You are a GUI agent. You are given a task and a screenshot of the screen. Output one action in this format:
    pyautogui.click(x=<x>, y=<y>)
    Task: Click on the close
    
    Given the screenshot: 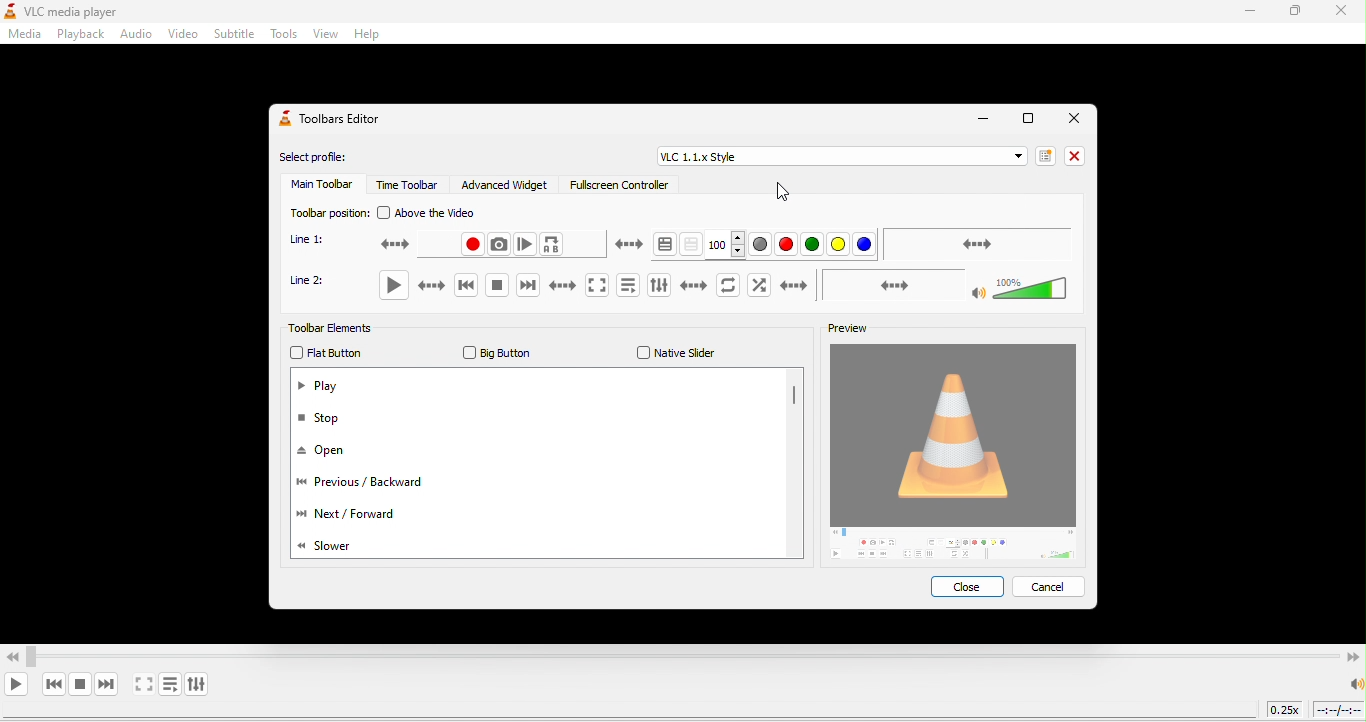 What is the action you would take?
    pyautogui.click(x=1074, y=155)
    